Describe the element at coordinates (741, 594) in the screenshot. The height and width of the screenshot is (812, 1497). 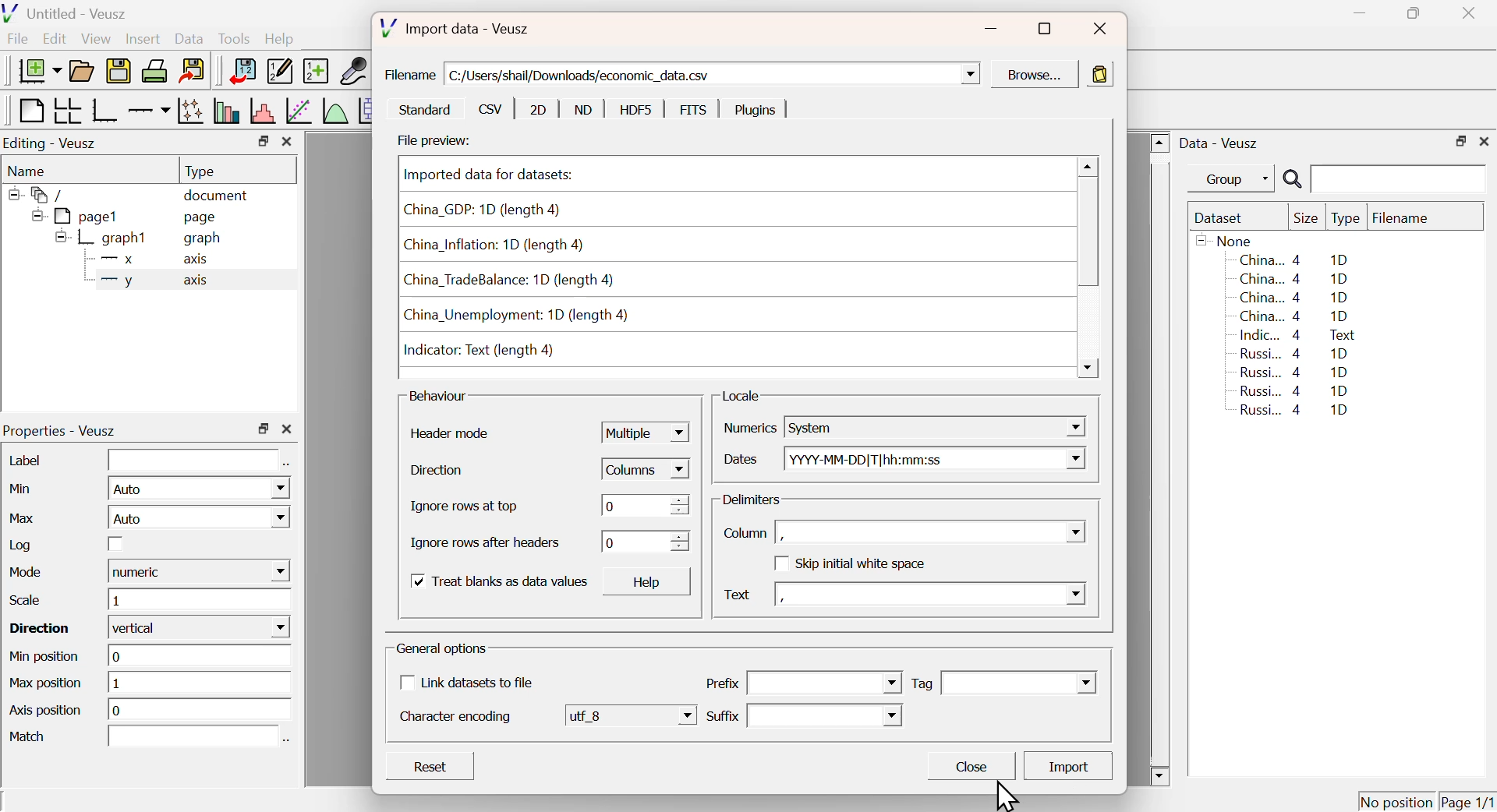
I see `Text` at that location.